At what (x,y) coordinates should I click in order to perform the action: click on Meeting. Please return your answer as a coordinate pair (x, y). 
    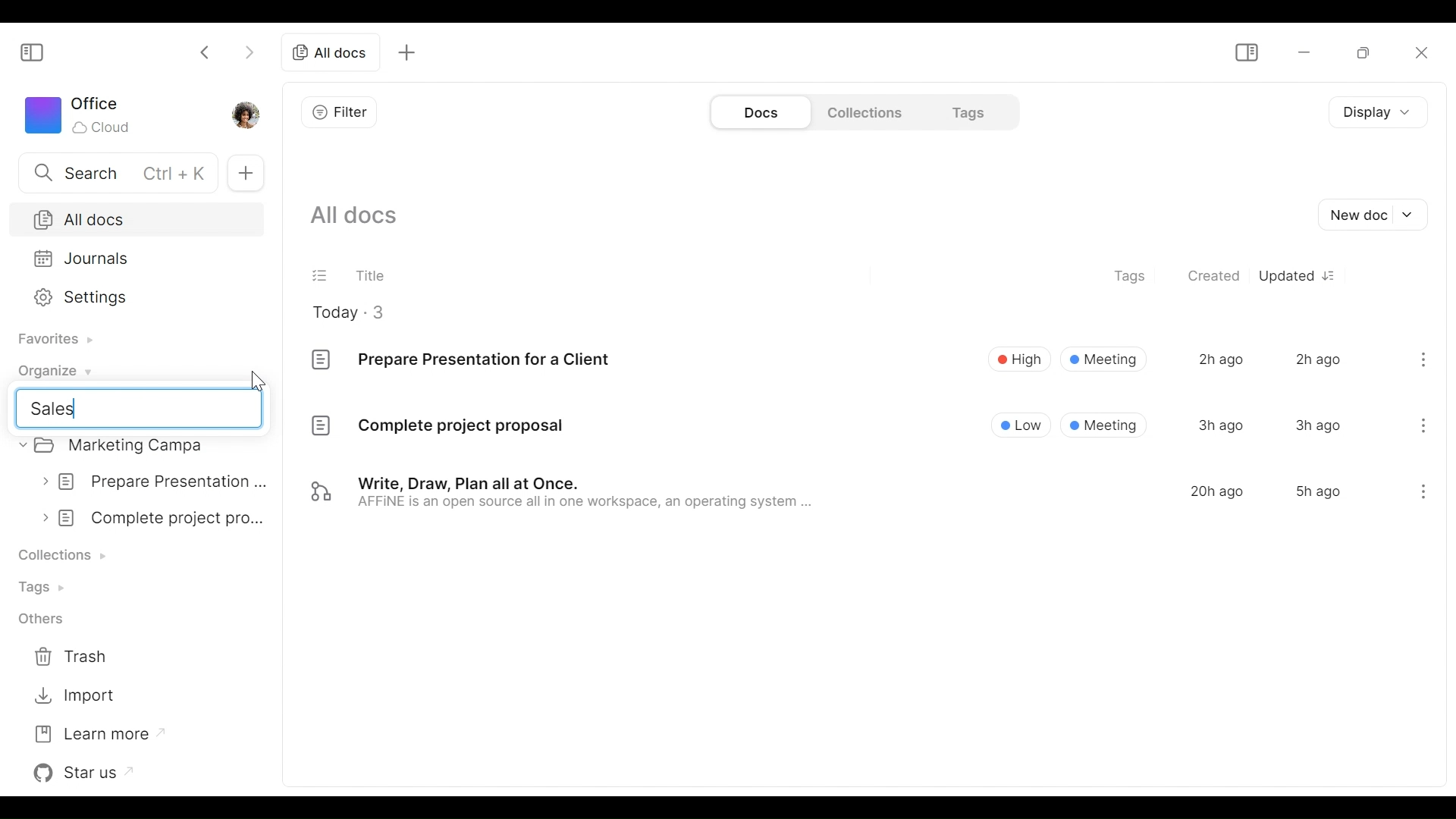
    Looking at the image, I should click on (1104, 359).